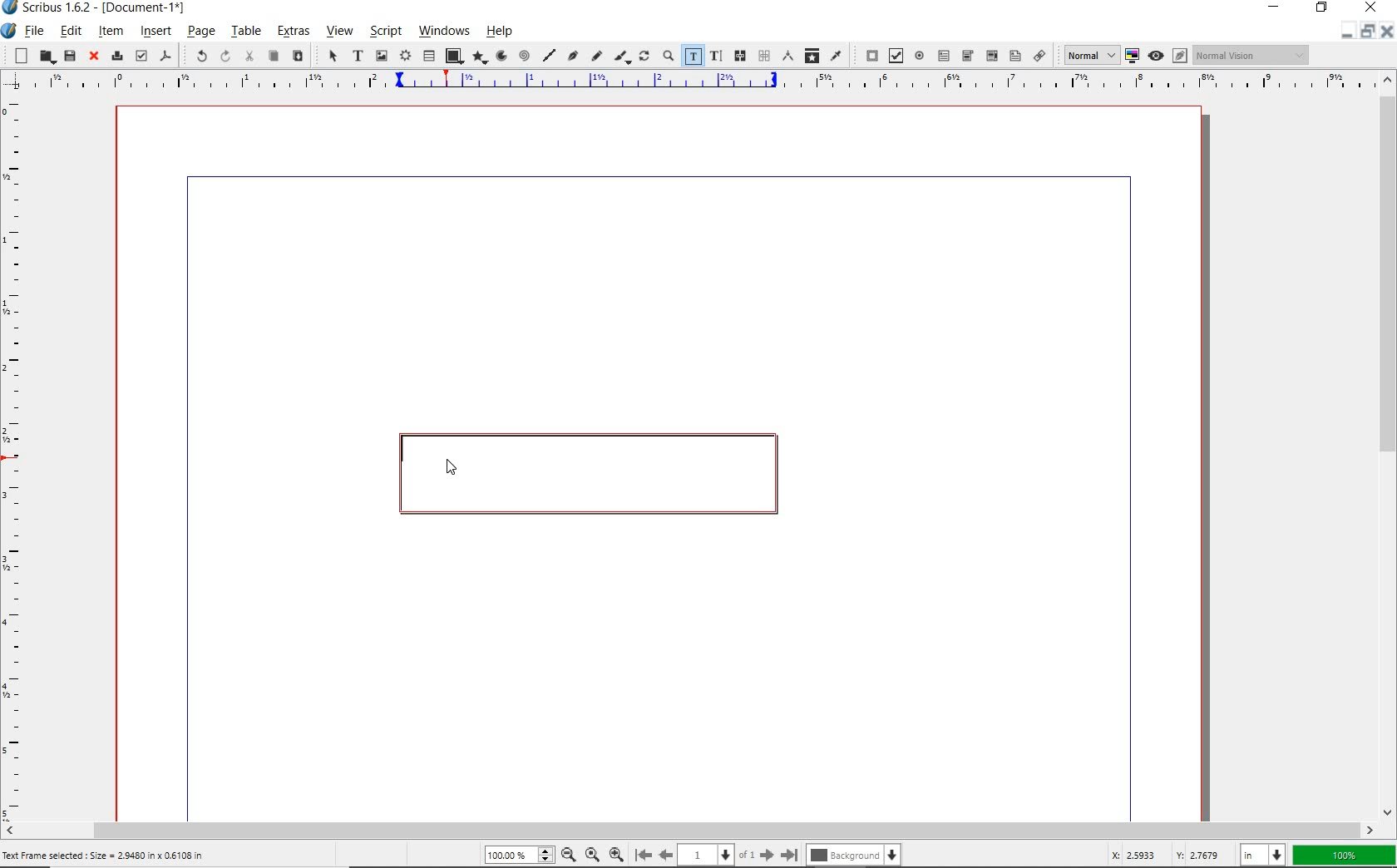 The width and height of the screenshot is (1397, 868). I want to click on Restore down, so click(1345, 32).